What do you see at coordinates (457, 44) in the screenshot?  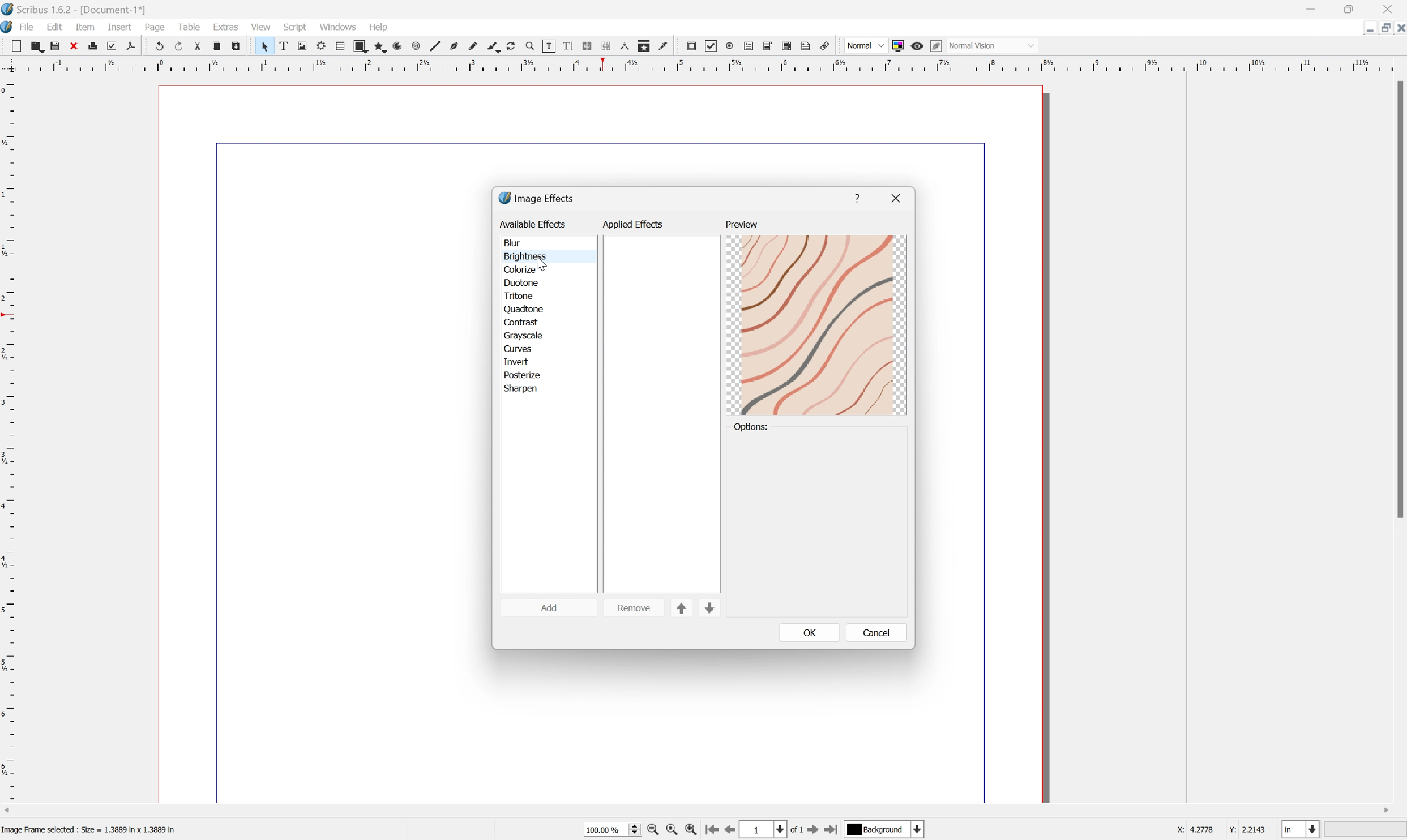 I see `Bezier curve` at bounding box center [457, 44].